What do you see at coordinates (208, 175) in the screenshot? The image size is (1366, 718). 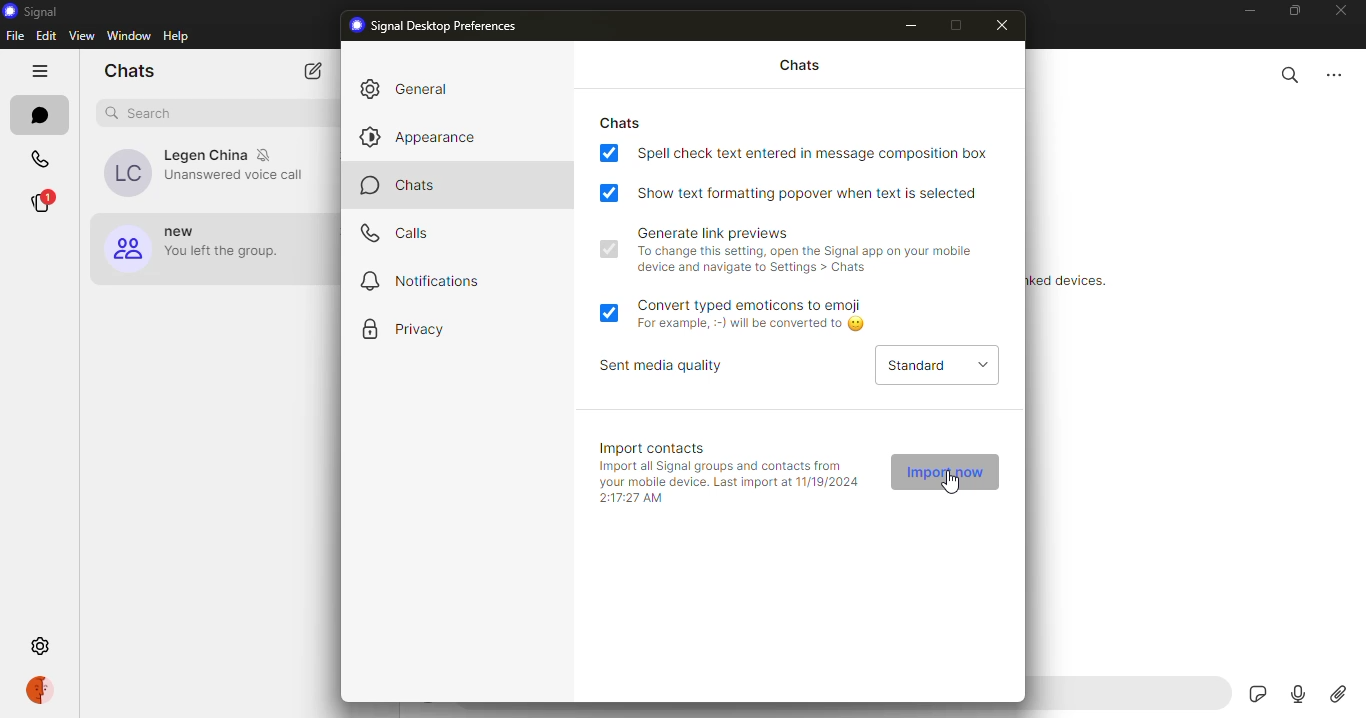 I see `contact` at bounding box center [208, 175].